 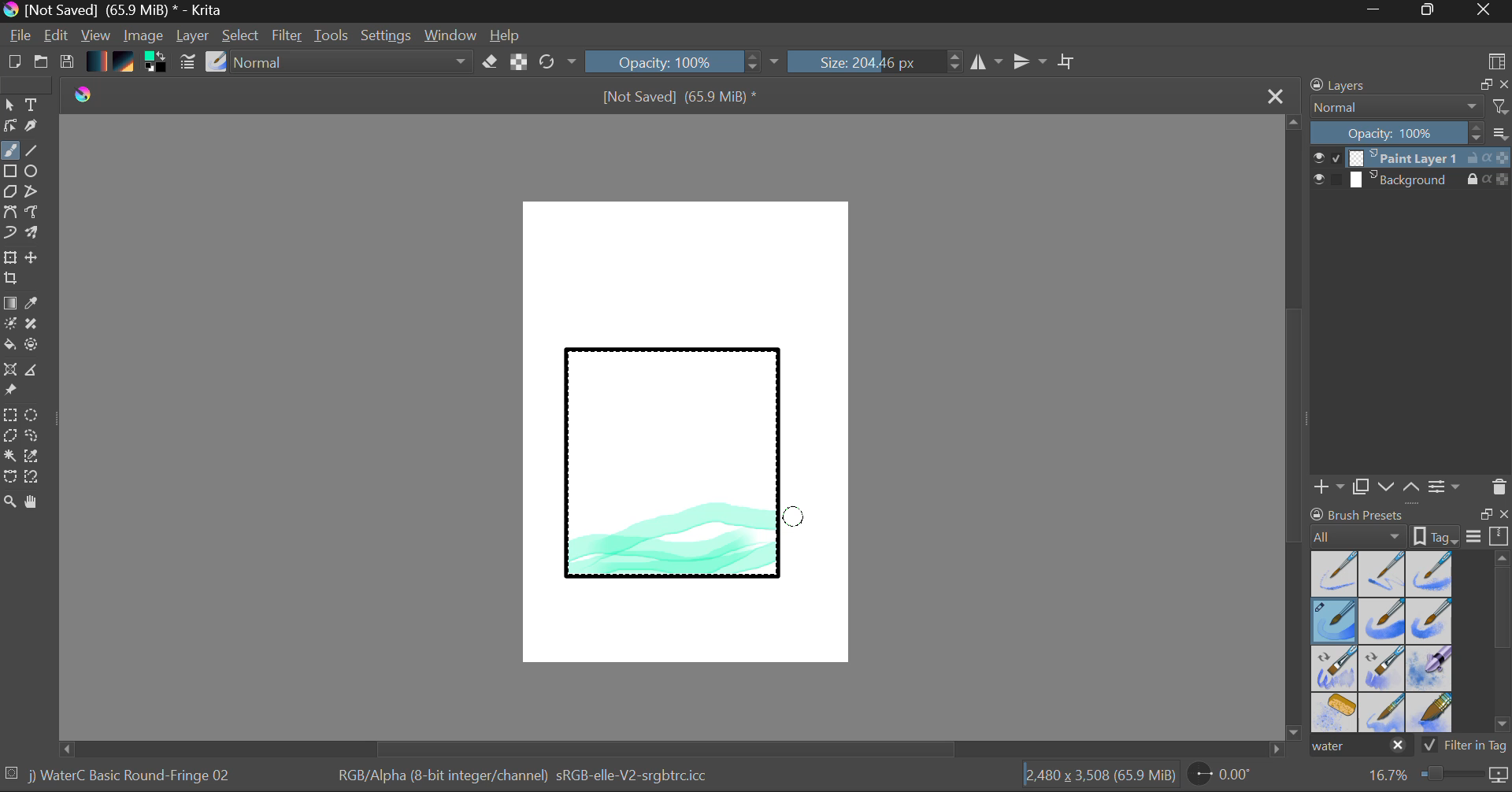 What do you see at coordinates (115, 11) in the screenshot?
I see `Window Title` at bounding box center [115, 11].